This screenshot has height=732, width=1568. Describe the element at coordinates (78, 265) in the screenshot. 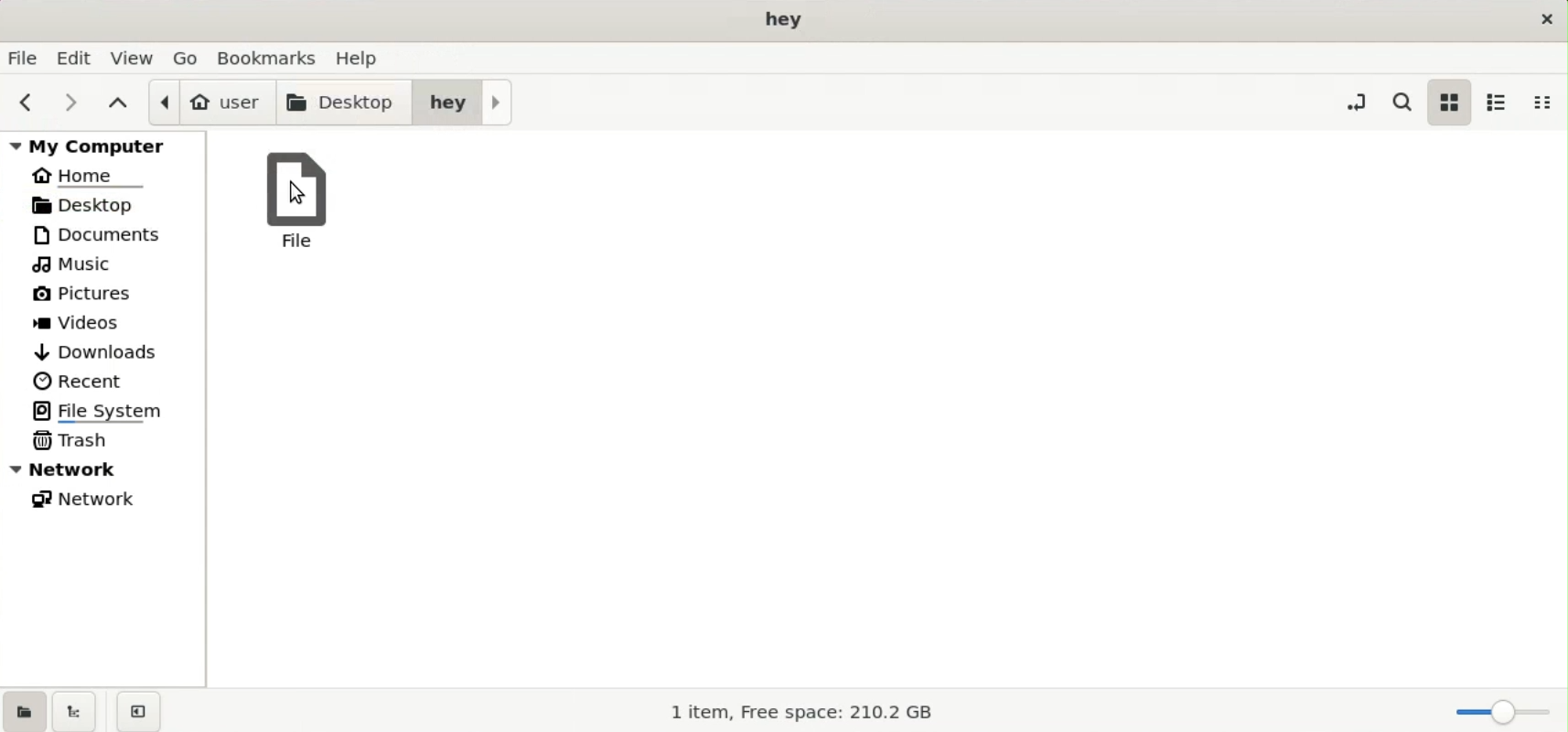

I see `music` at that location.